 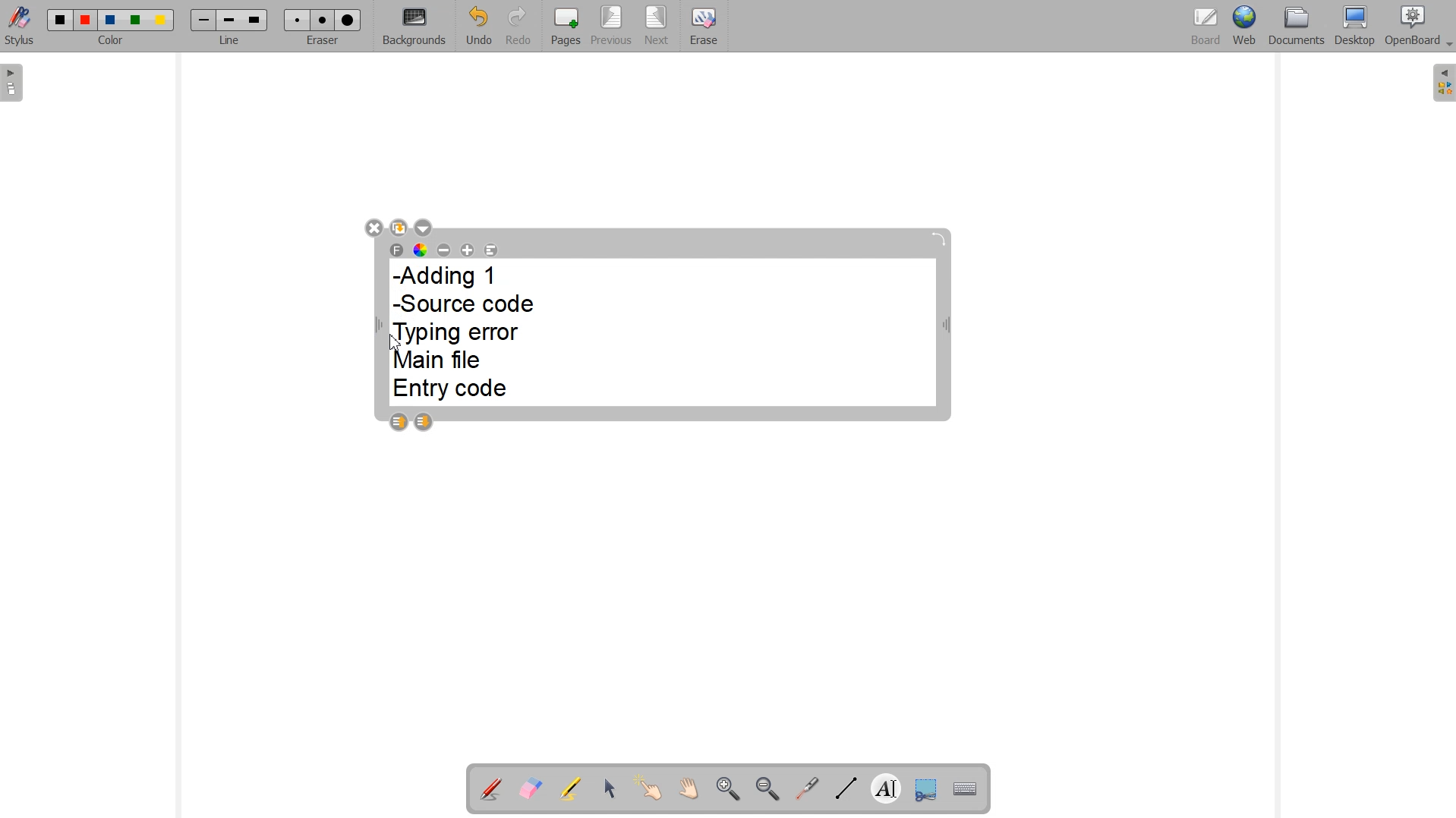 What do you see at coordinates (444, 249) in the screenshot?
I see `Decrease font size` at bounding box center [444, 249].